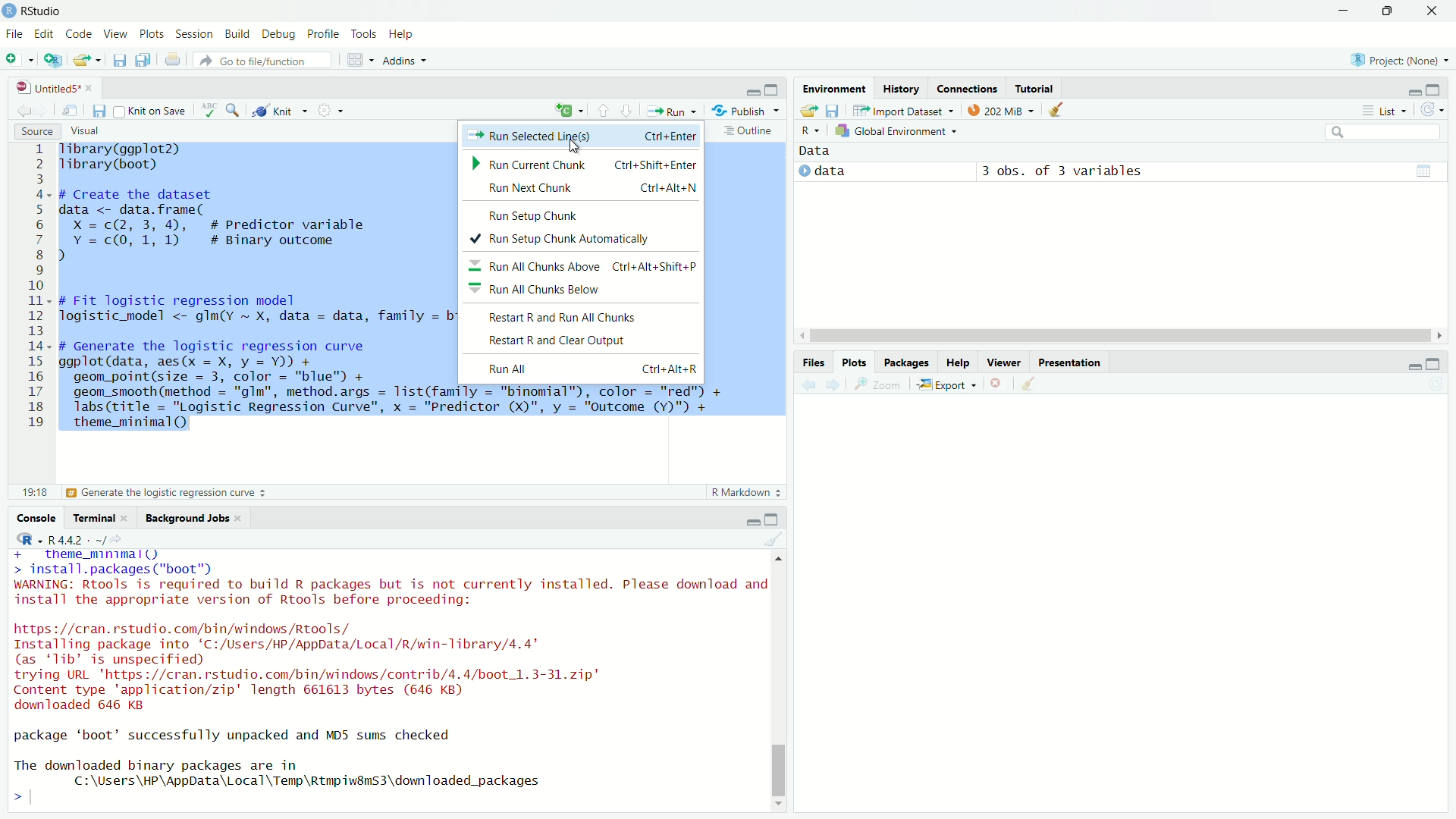 The image size is (1456, 819). Describe the element at coordinates (830, 171) in the screenshot. I see `data` at that location.